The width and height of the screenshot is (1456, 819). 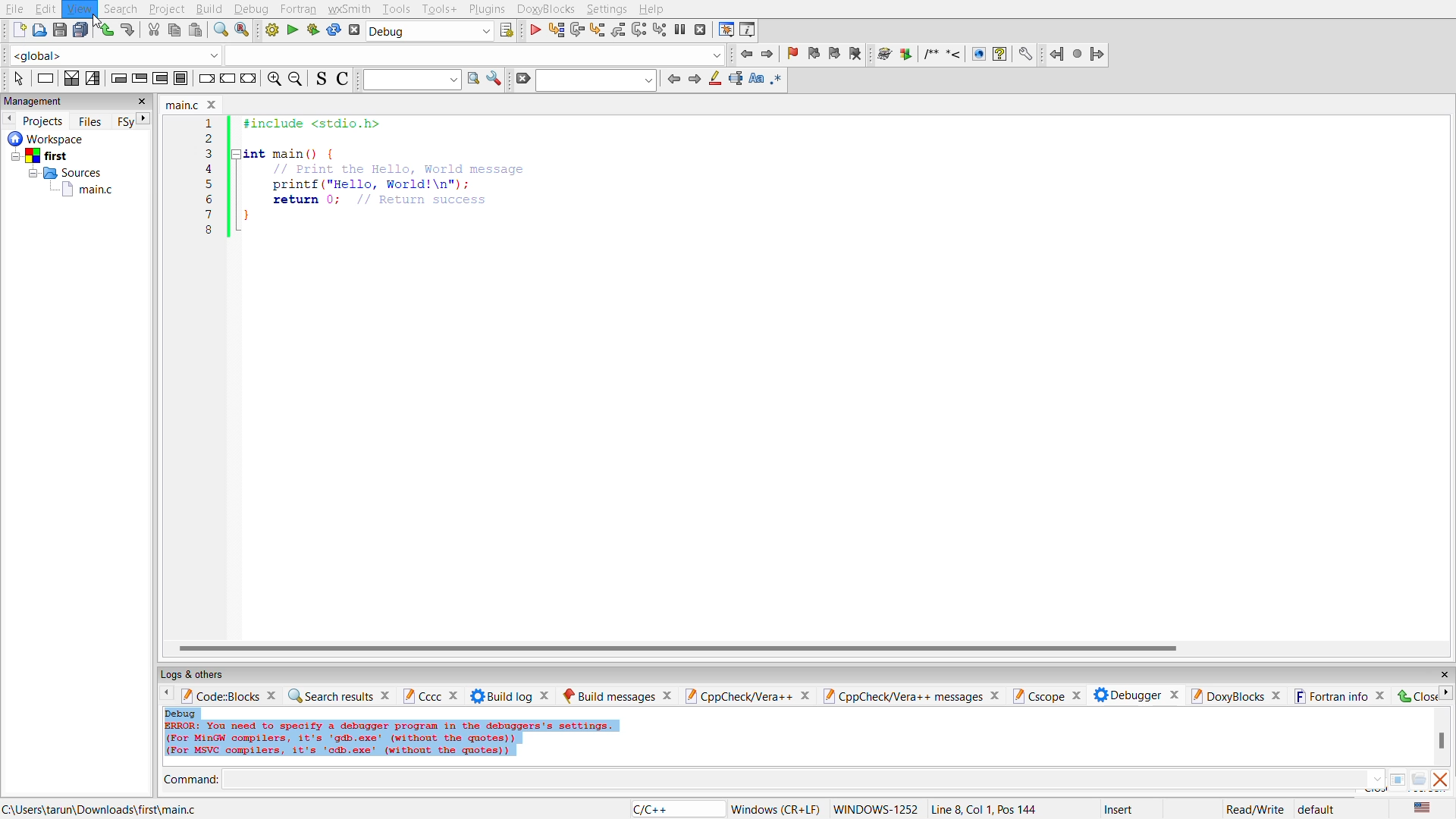 I want to click on debug data, so click(x=427, y=736).